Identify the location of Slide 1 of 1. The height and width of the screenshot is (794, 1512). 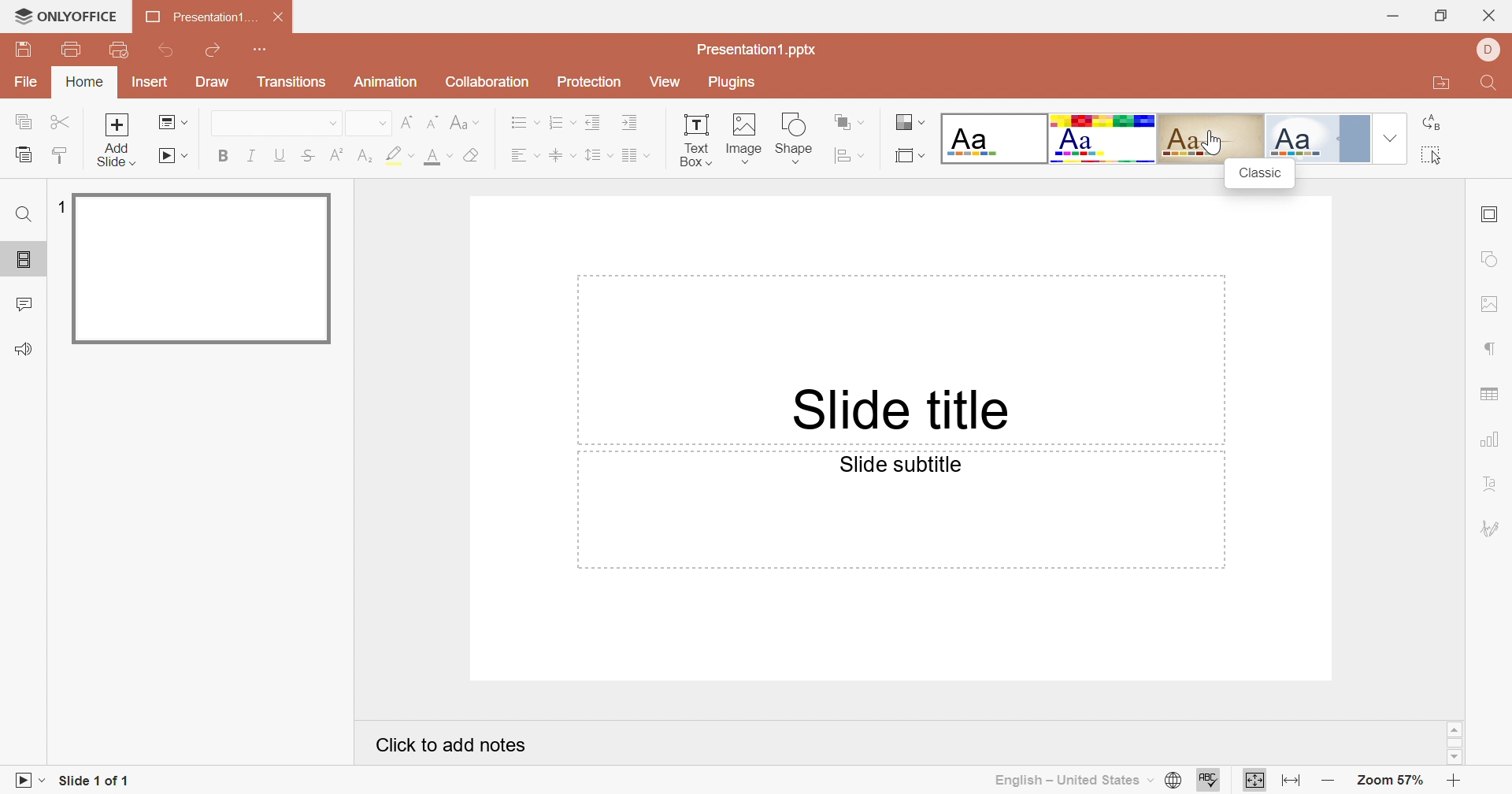
(98, 778).